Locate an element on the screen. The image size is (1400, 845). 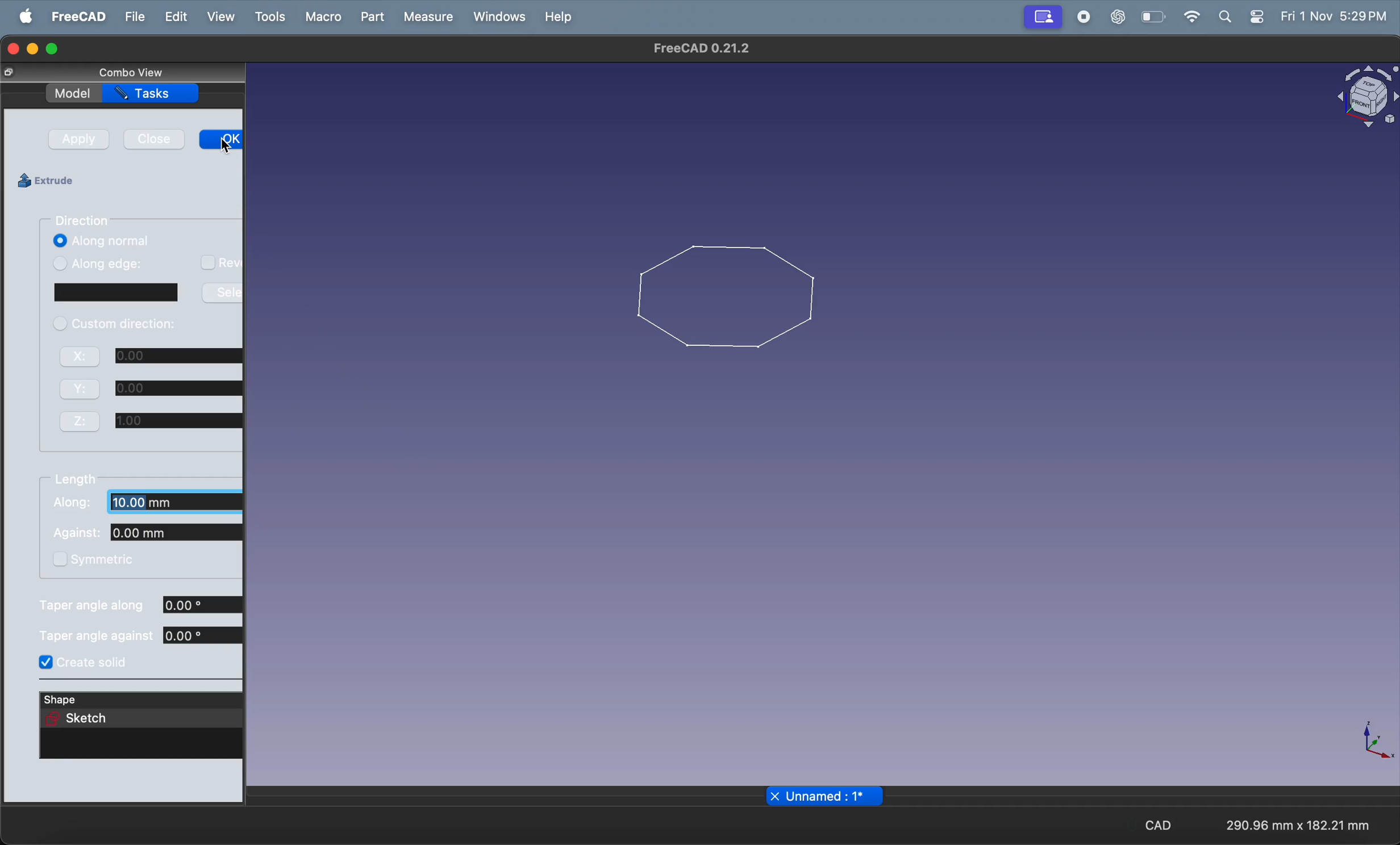
record is located at coordinates (1086, 18).